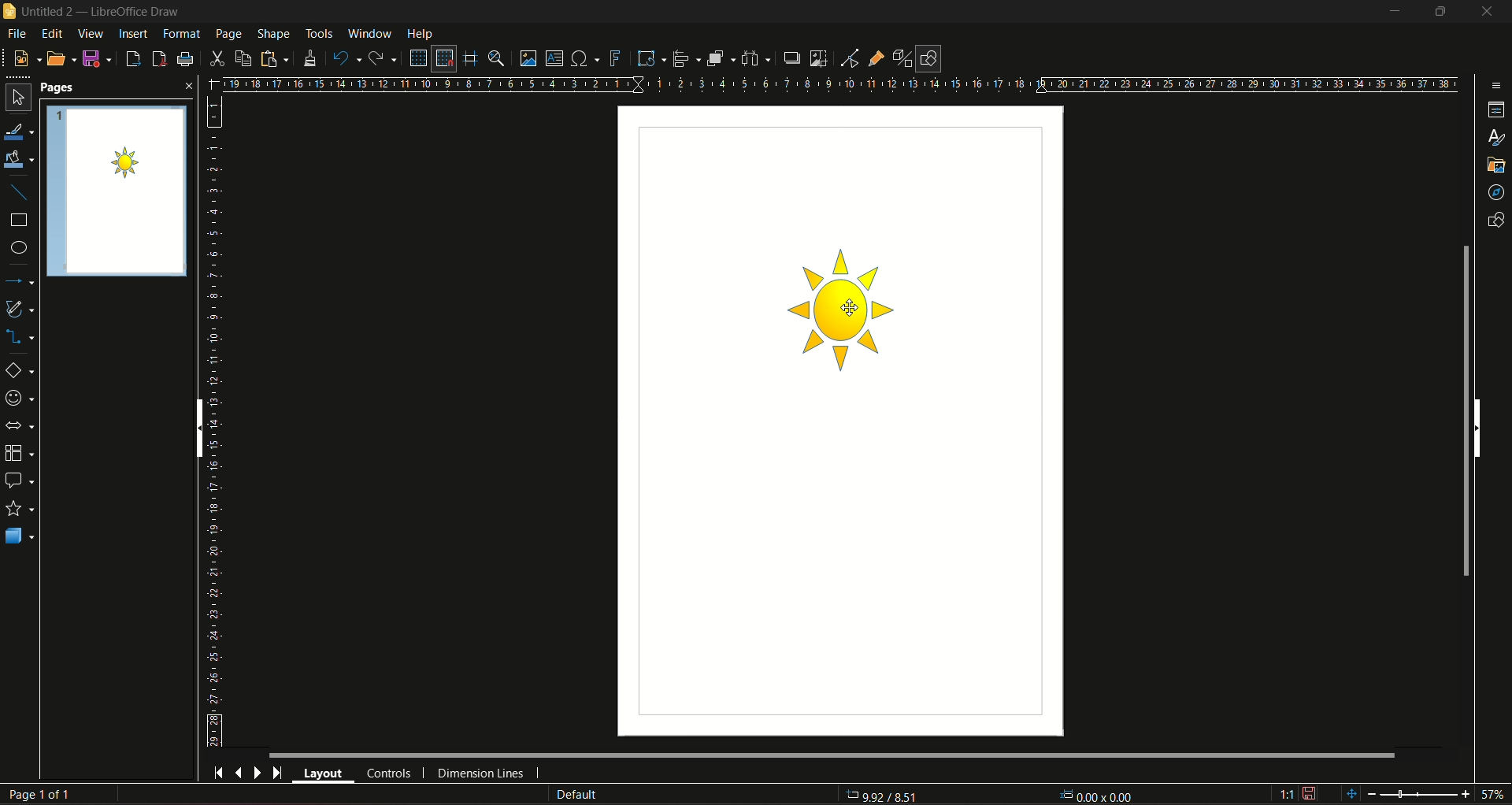 The image size is (1512, 805). Describe the element at coordinates (443, 57) in the screenshot. I see `snap to grid` at that location.